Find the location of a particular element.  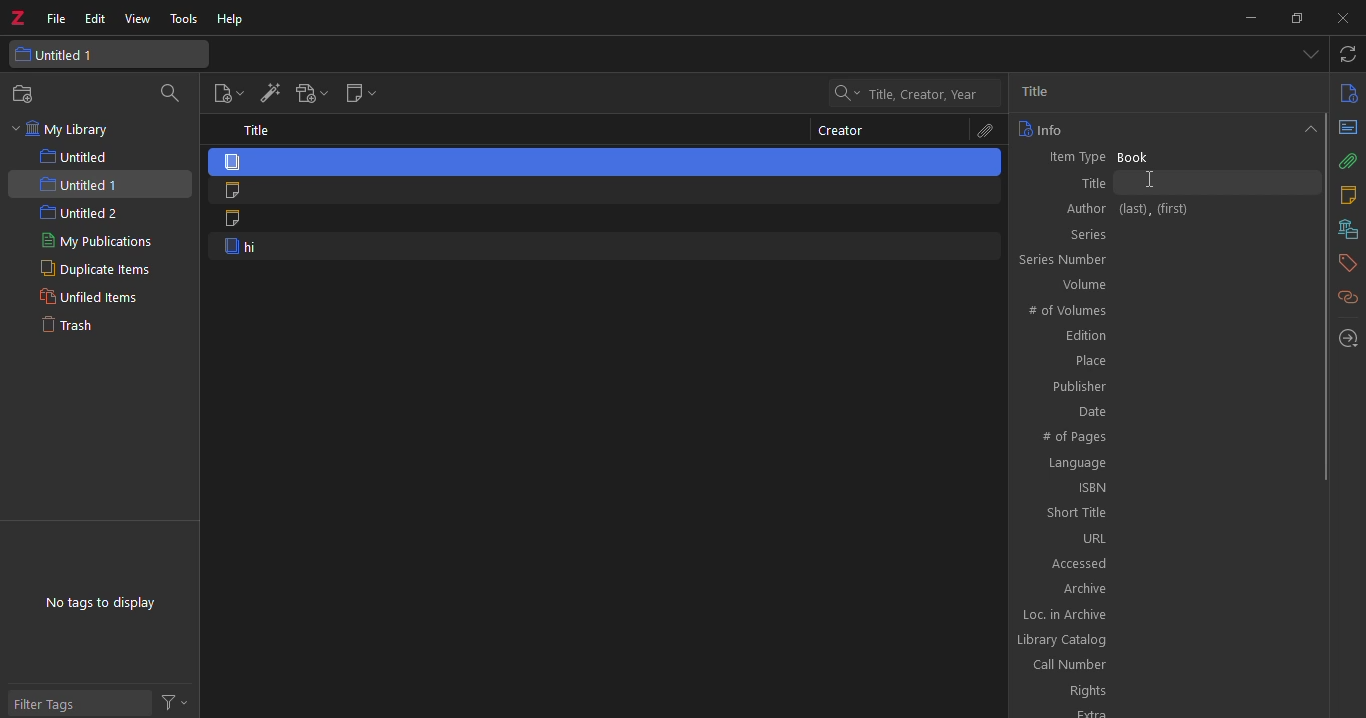

actions is located at coordinates (179, 701).